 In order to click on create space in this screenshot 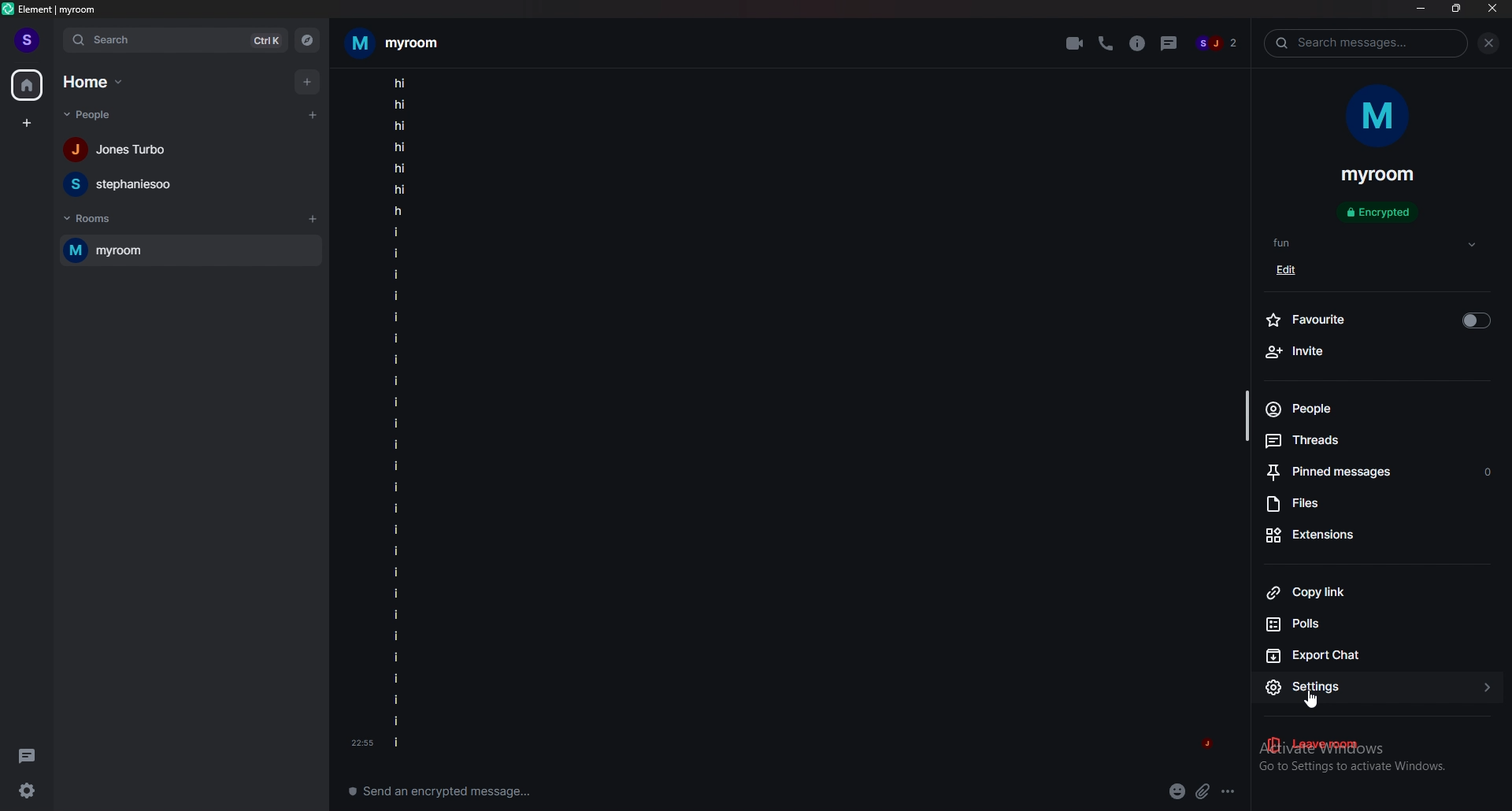, I will do `click(26, 123)`.